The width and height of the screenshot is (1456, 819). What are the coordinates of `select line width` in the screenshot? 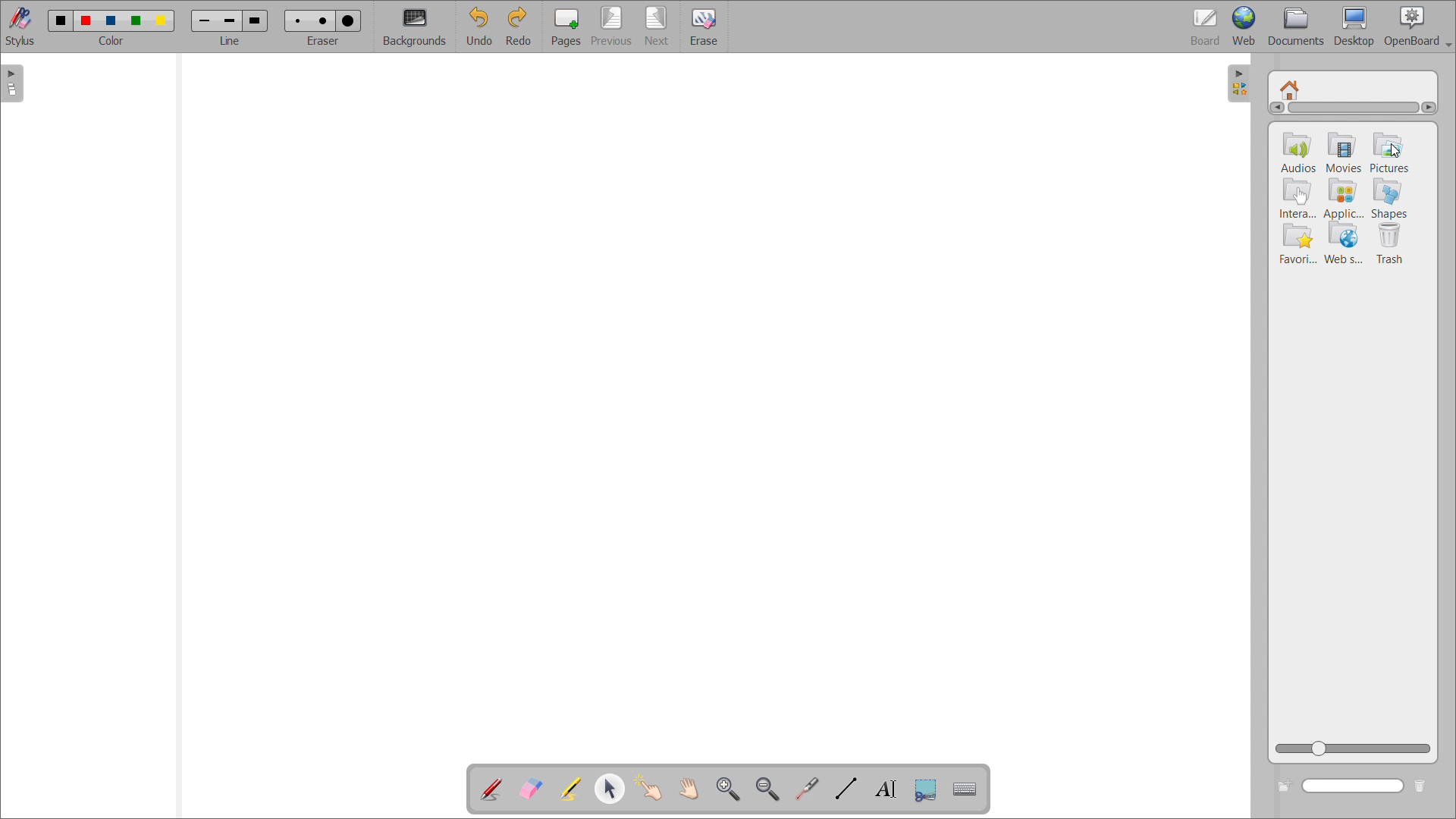 It's located at (230, 27).